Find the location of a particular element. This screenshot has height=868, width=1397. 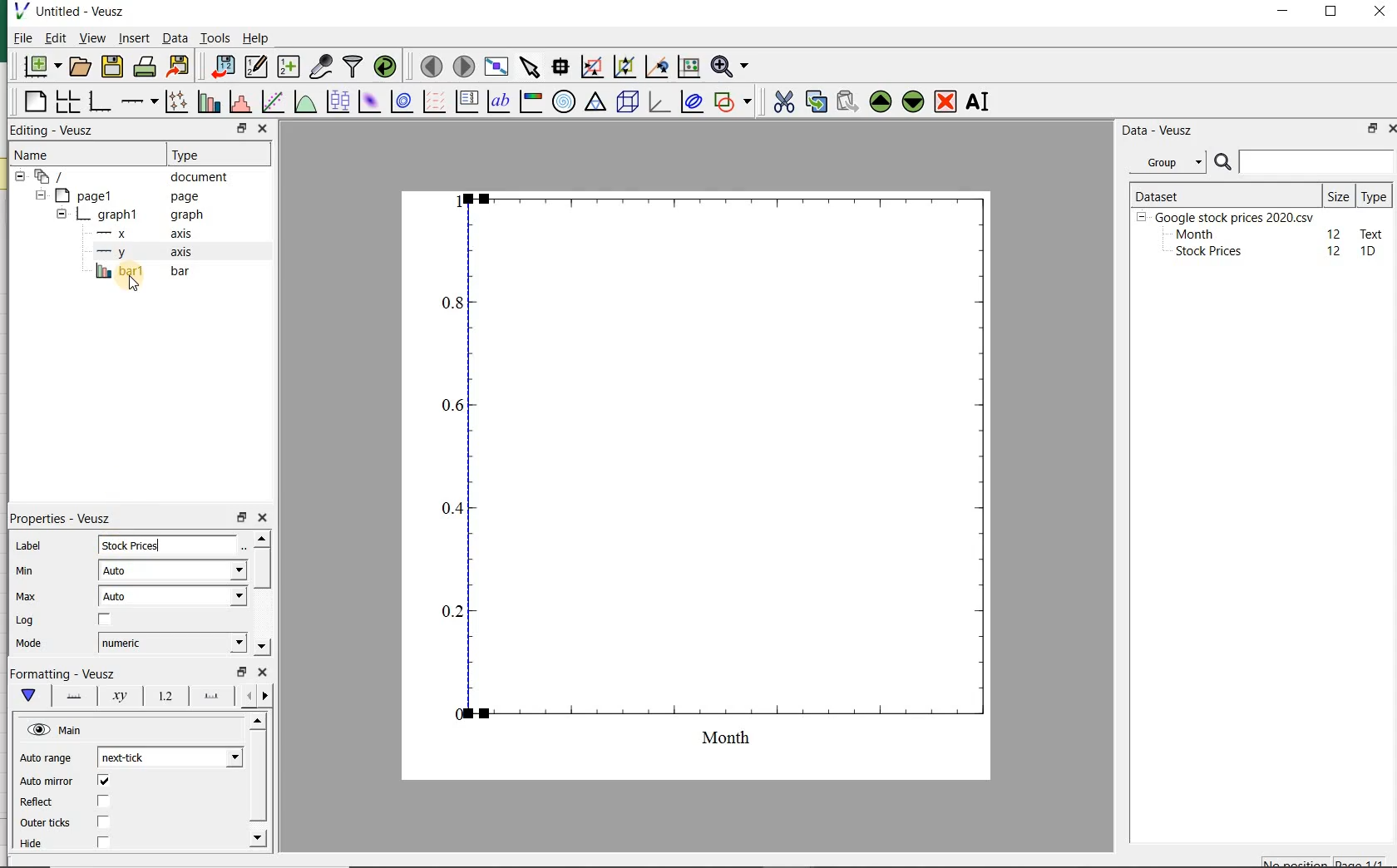

Month is located at coordinates (1193, 234).